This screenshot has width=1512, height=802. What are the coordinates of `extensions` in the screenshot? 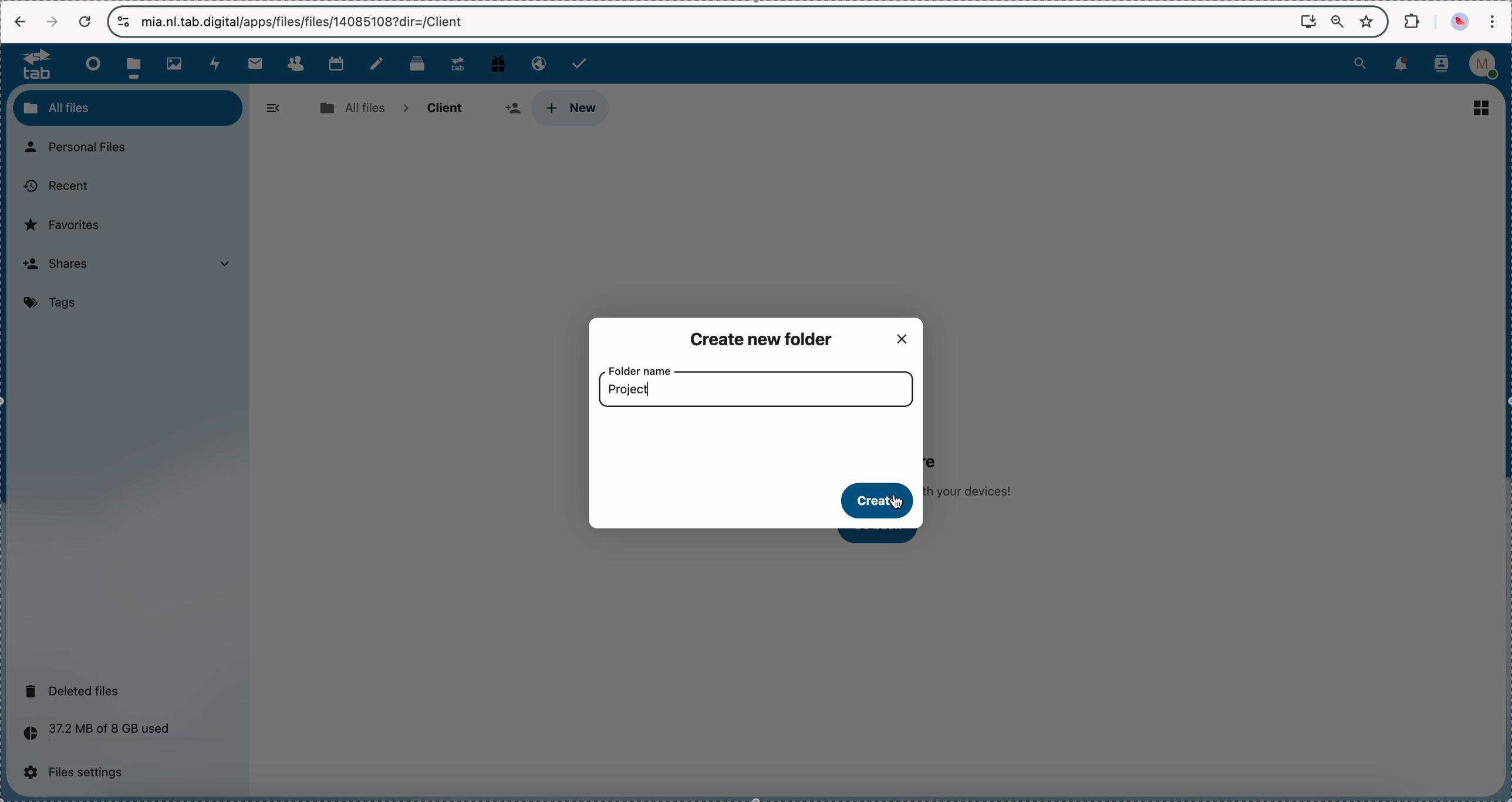 It's located at (1413, 20).